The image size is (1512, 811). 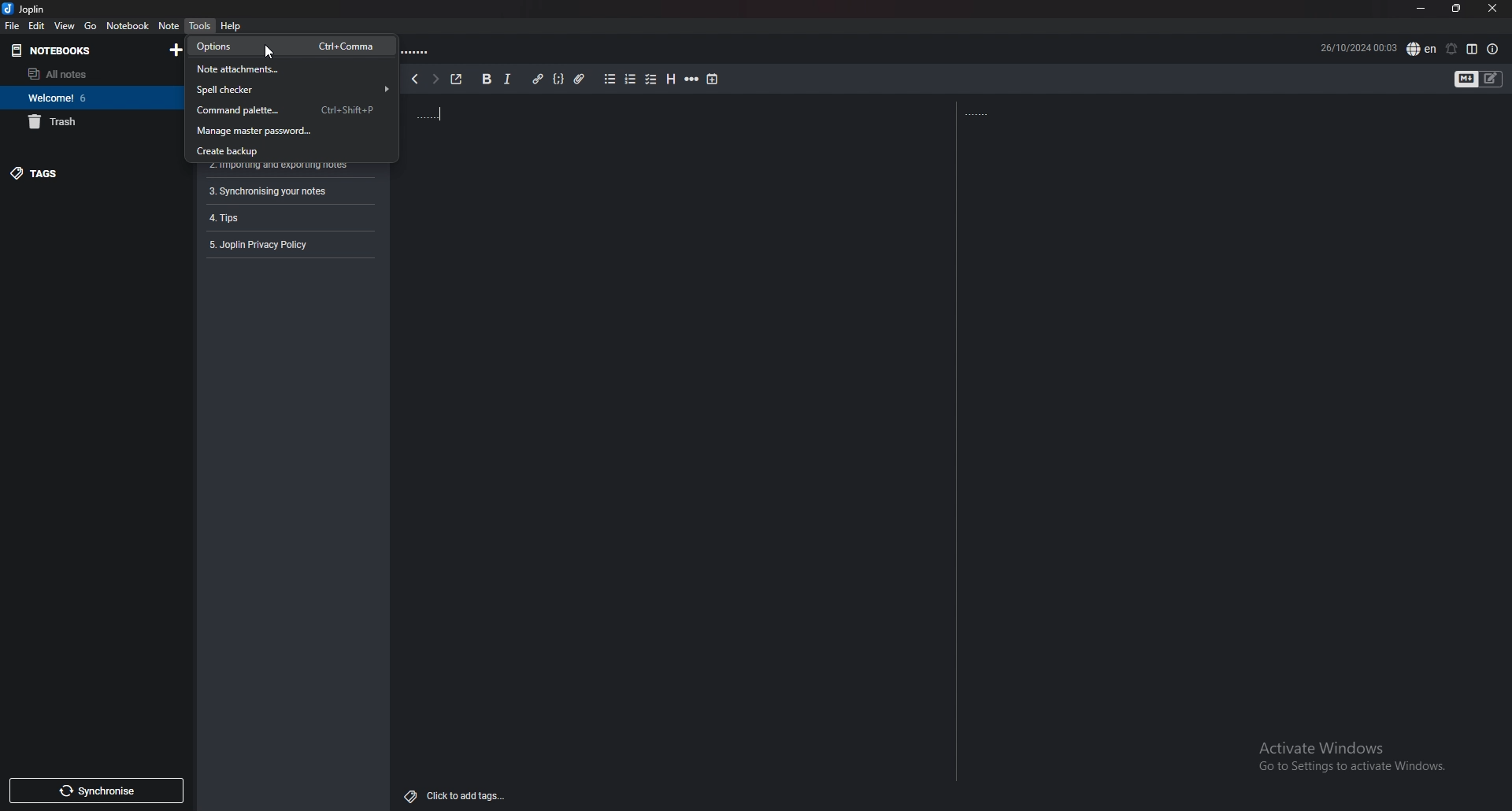 What do you see at coordinates (127, 25) in the screenshot?
I see `notebook` at bounding box center [127, 25].